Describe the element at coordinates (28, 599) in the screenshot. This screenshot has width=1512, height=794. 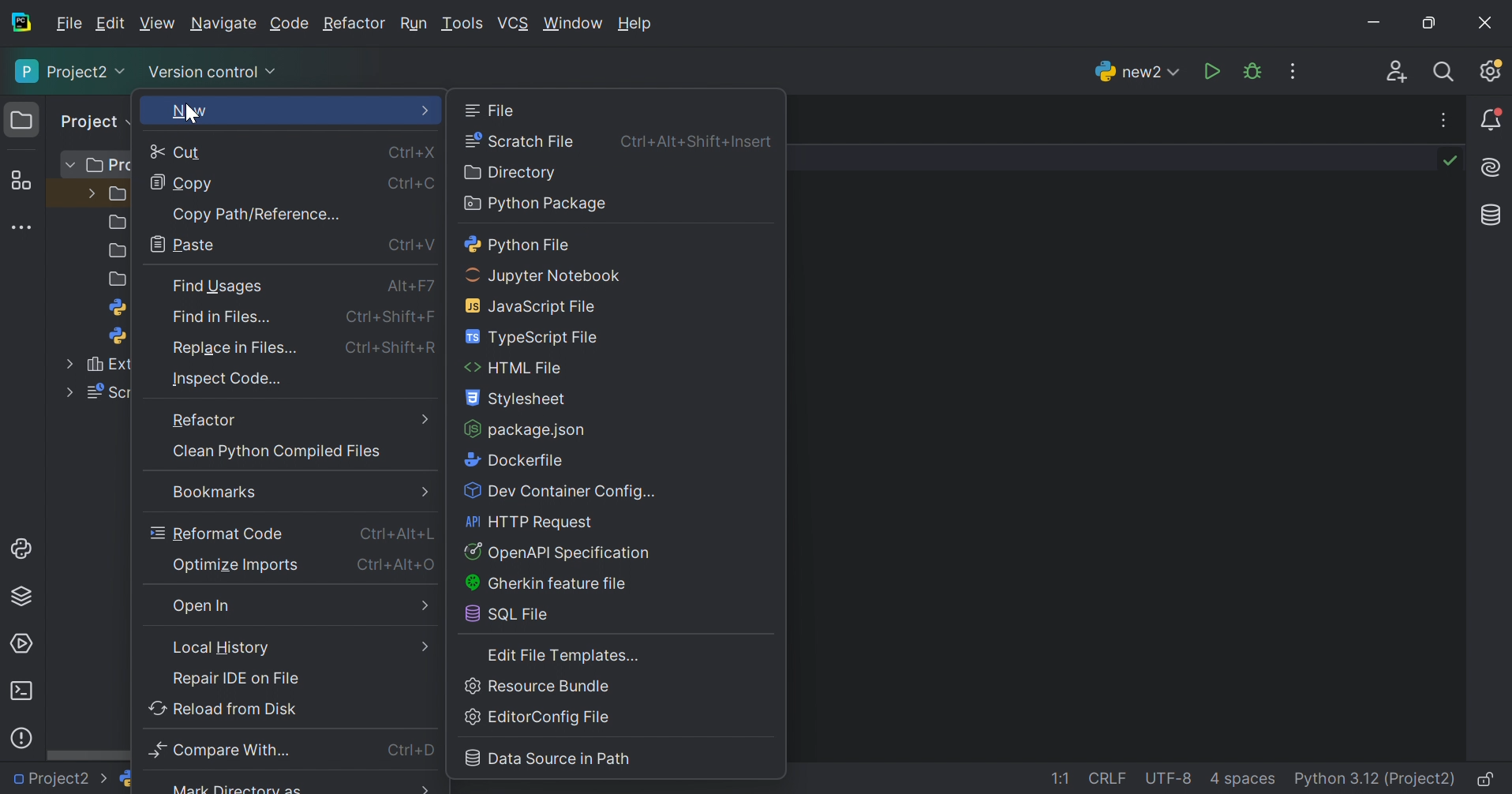
I see `Python Packages` at that location.